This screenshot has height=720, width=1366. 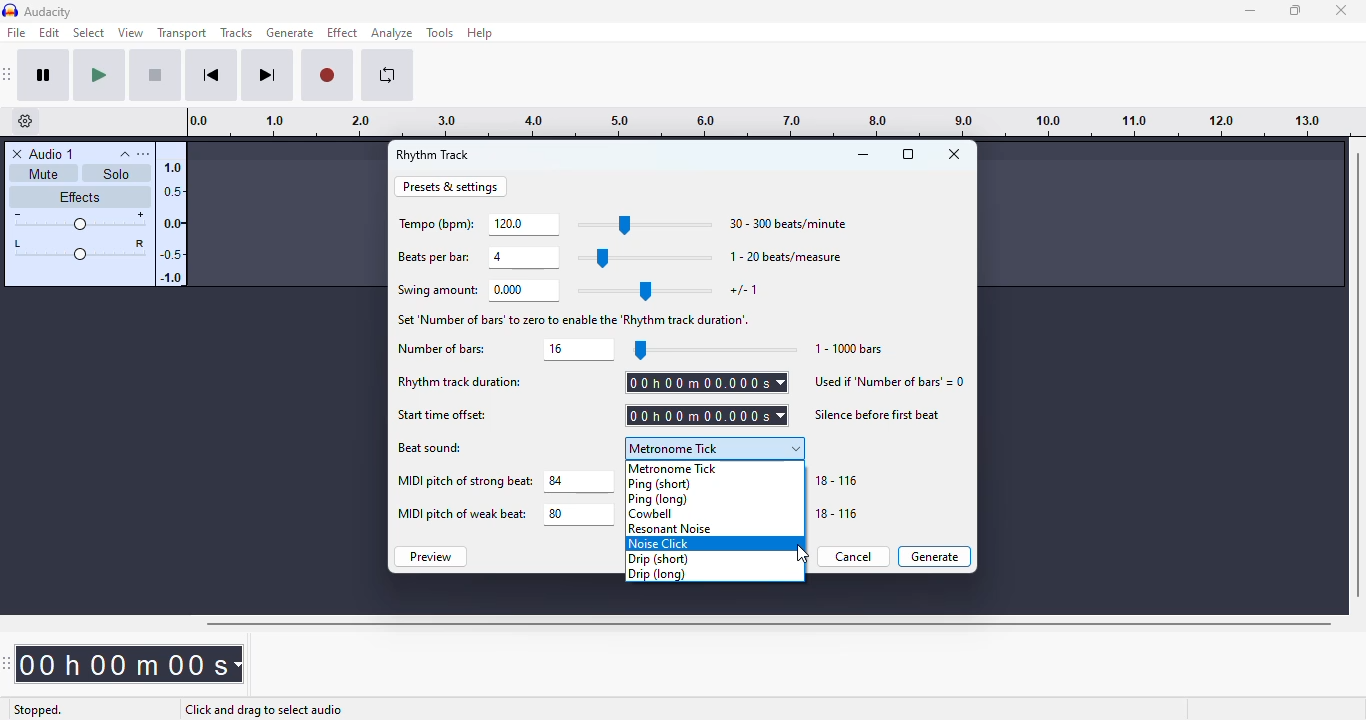 What do you see at coordinates (79, 248) in the screenshot?
I see `pan` at bounding box center [79, 248].